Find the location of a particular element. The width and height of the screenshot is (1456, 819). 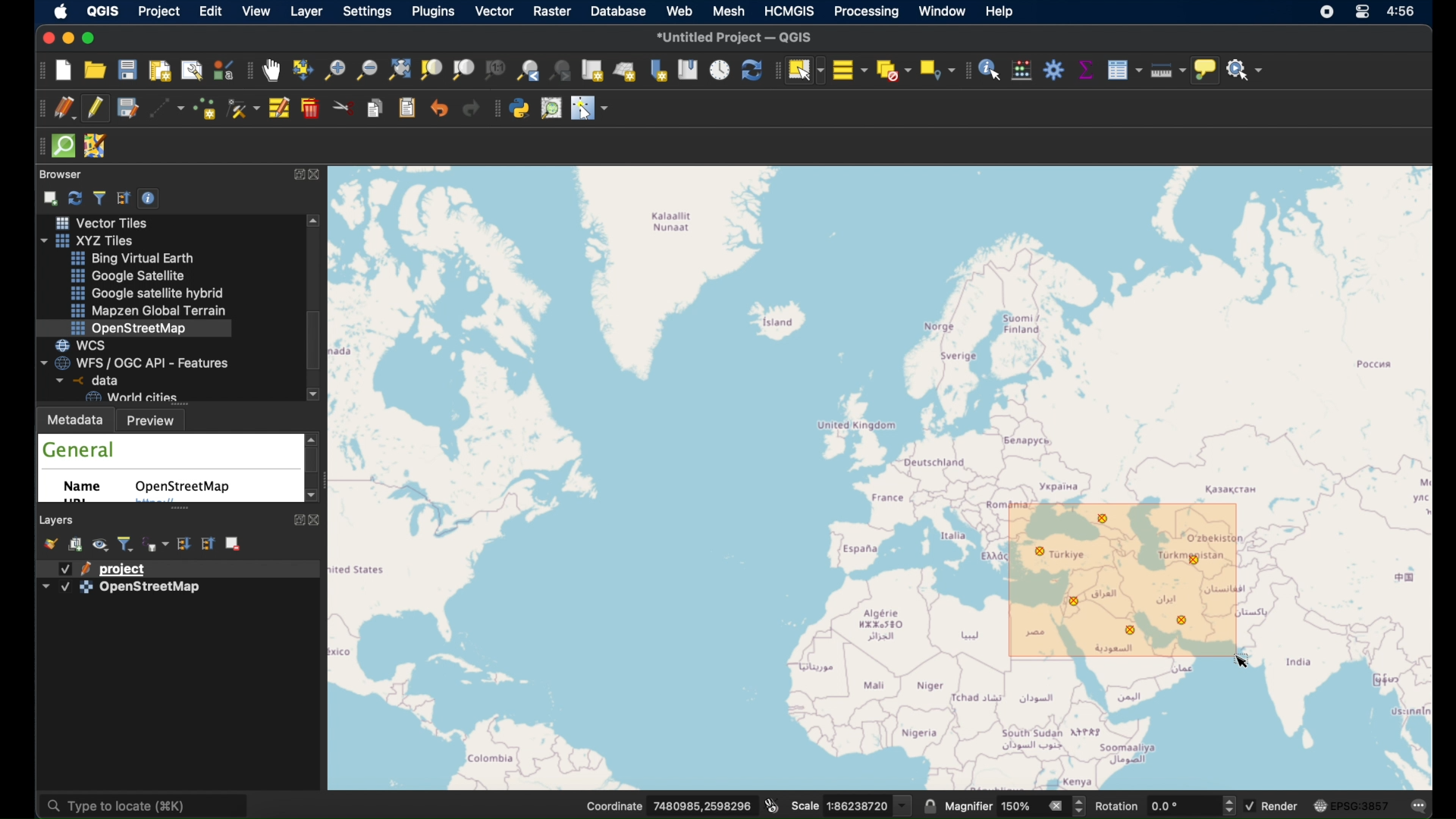

add selected layers is located at coordinates (49, 197).